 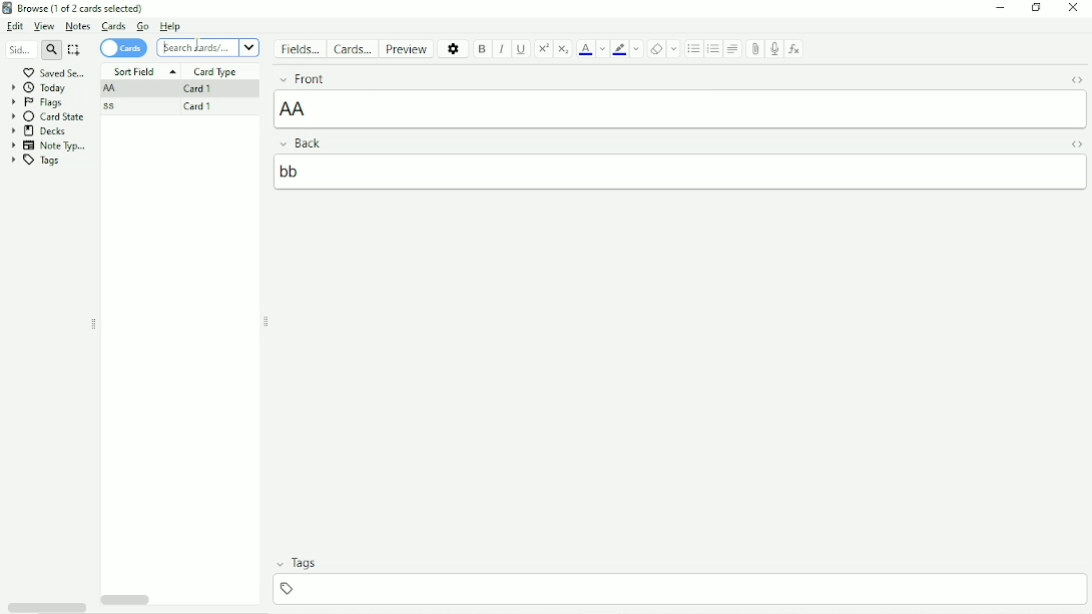 What do you see at coordinates (78, 26) in the screenshot?
I see `Notes` at bounding box center [78, 26].